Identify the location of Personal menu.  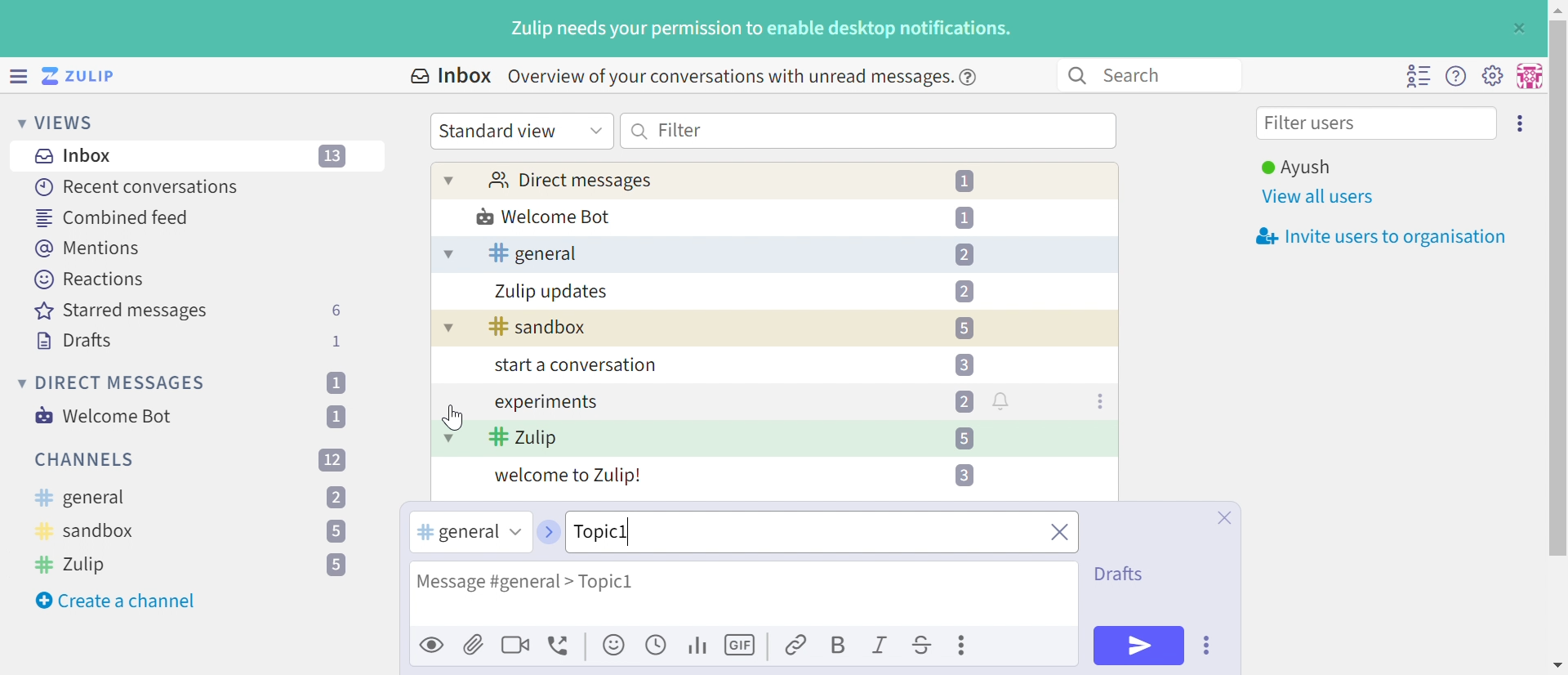
(1527, 76).